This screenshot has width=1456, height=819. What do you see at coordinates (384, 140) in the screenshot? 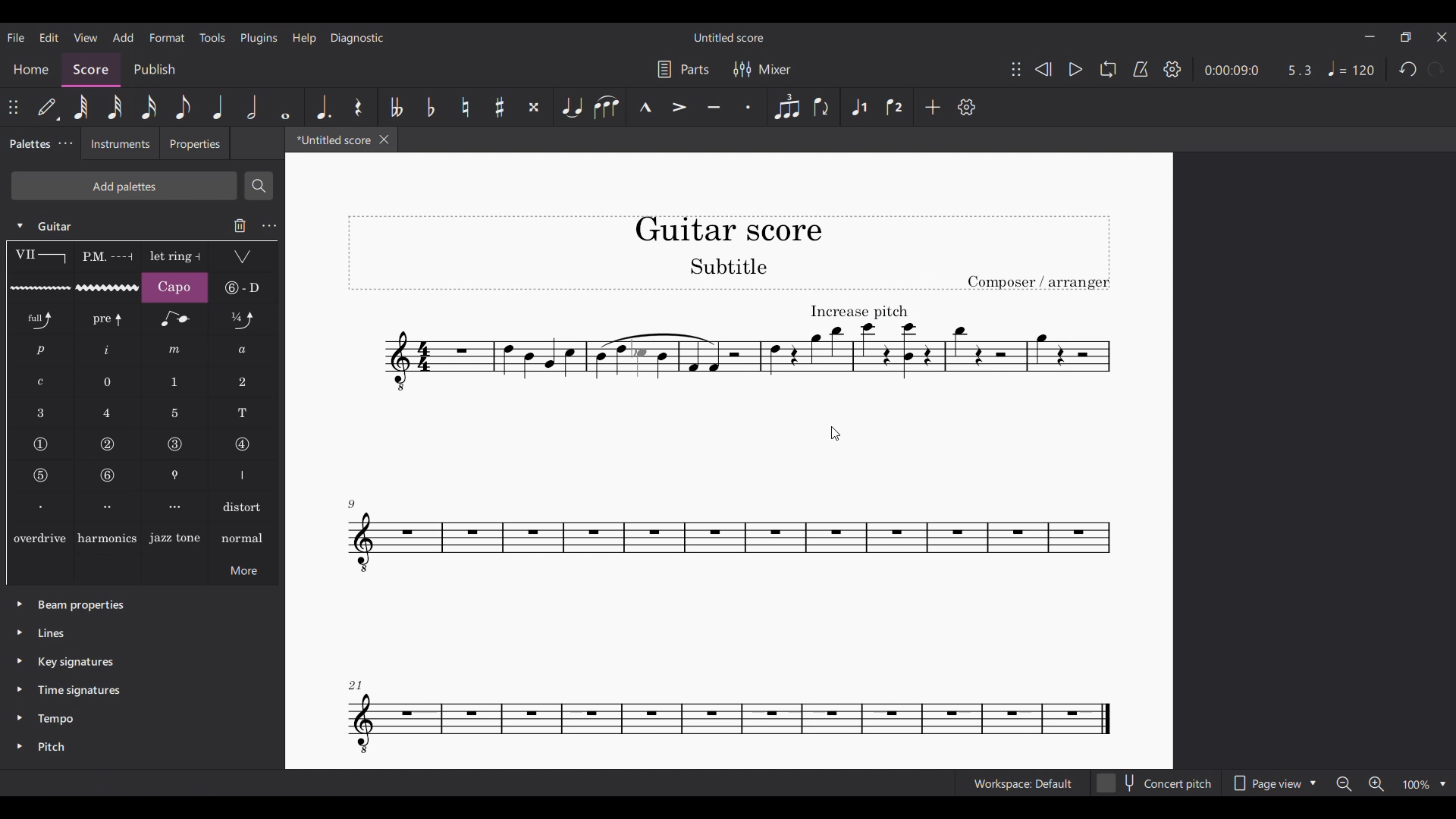
I see `Close tab` at bounding box center [384, 140].